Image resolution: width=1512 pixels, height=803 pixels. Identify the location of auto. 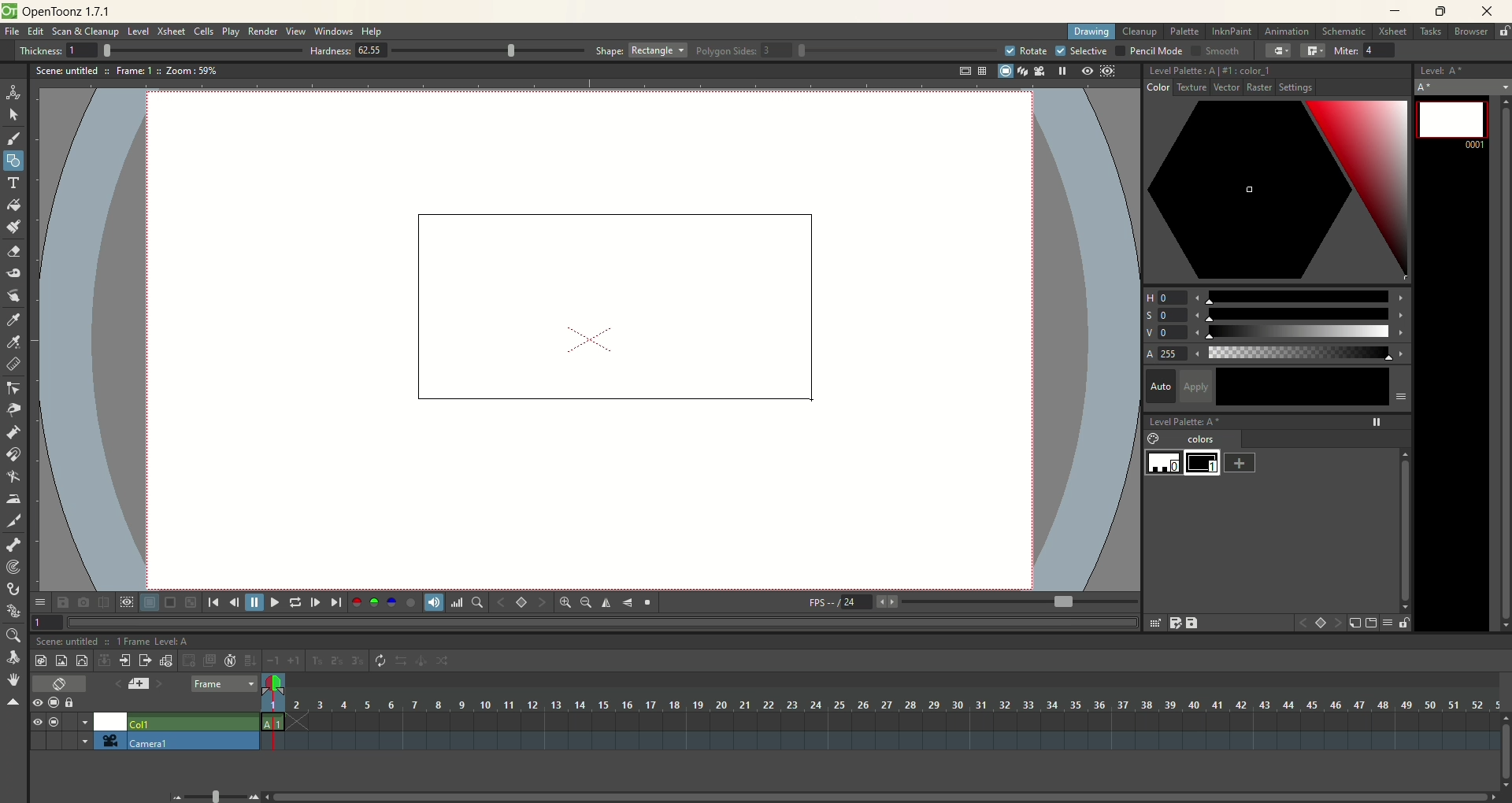
(1160, 385).